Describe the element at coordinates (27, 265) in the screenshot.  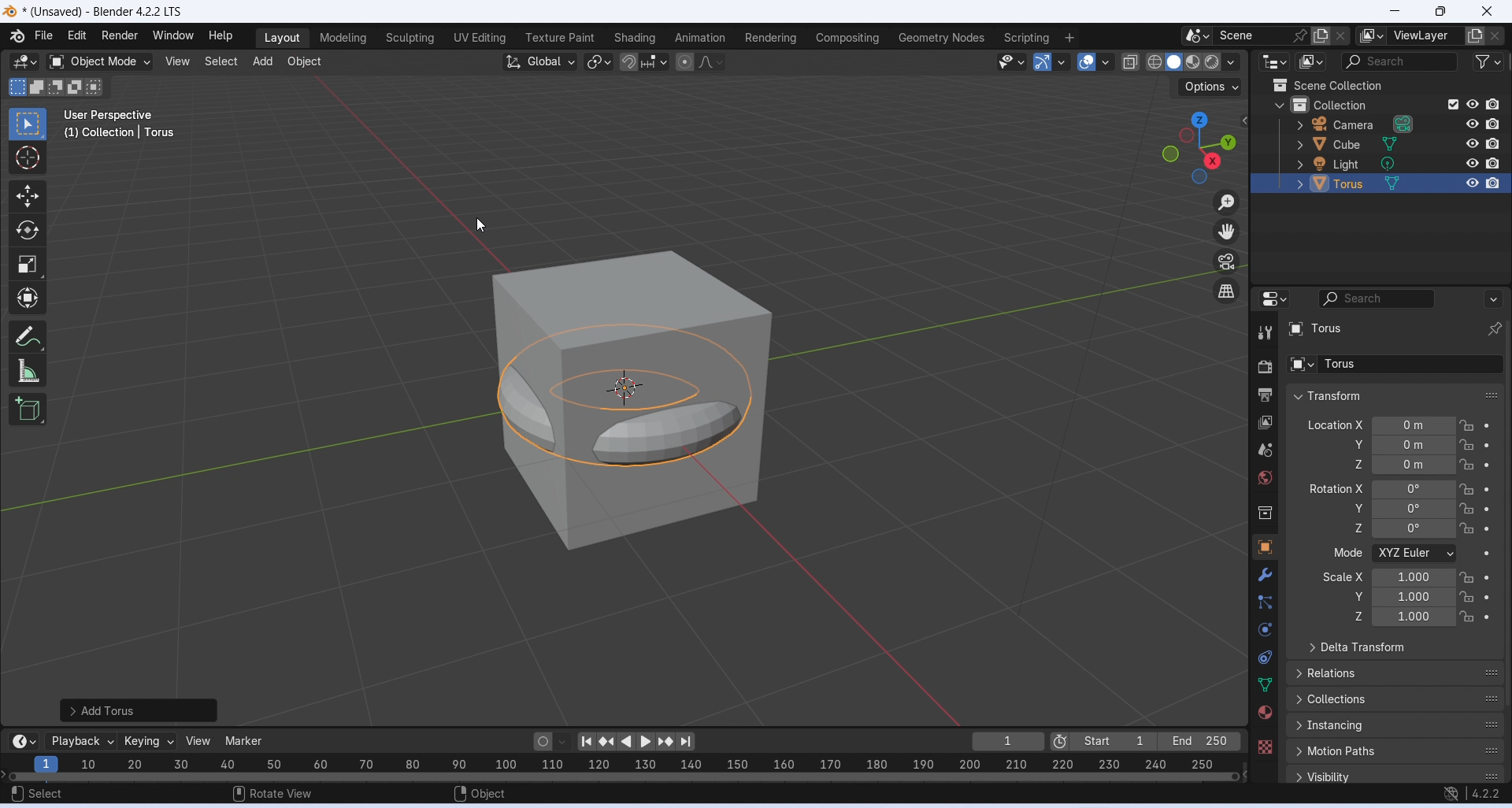
I see `Scale` at that location.